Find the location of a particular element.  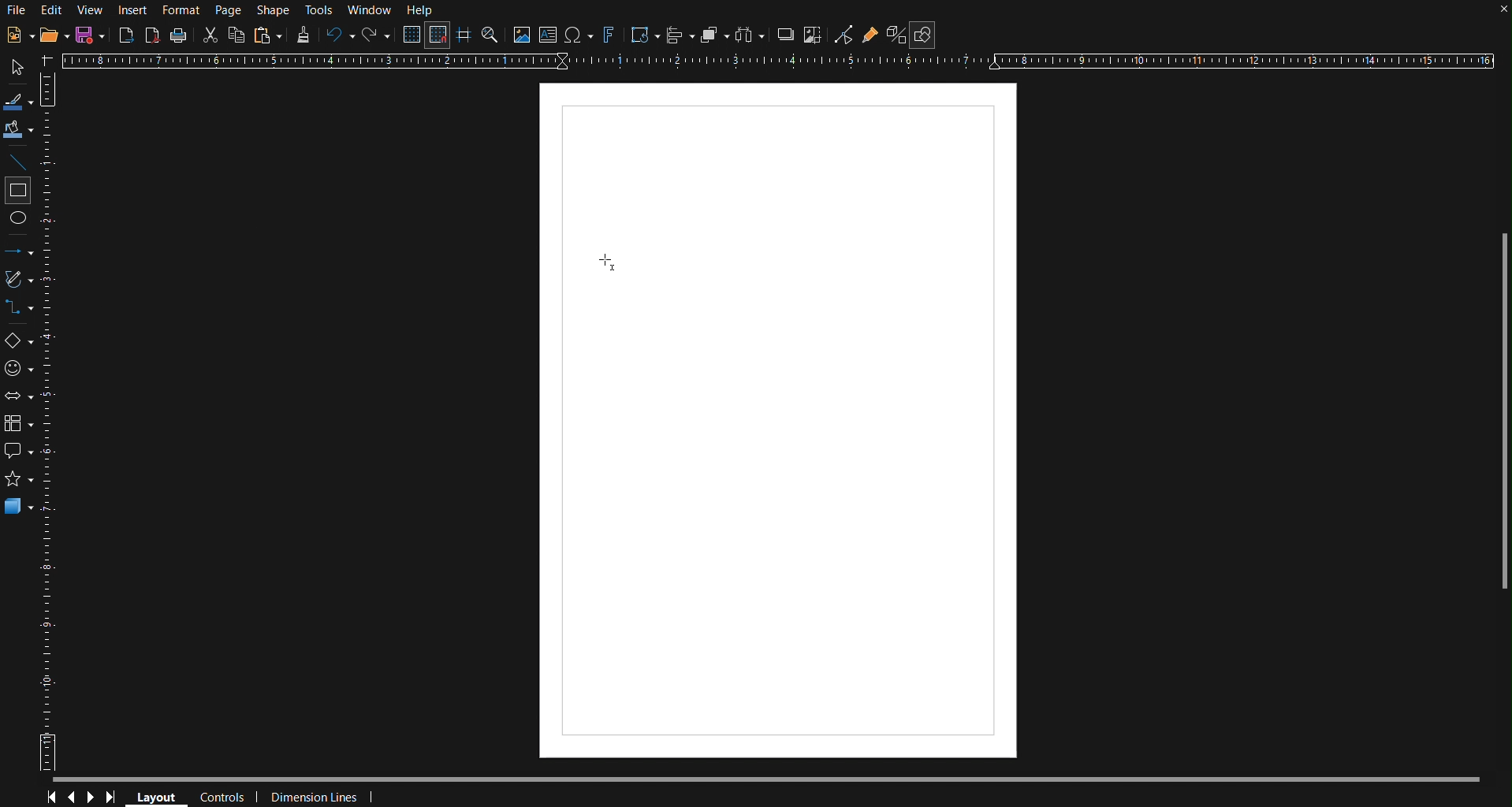

Copy is located at coordinates (236, 35).